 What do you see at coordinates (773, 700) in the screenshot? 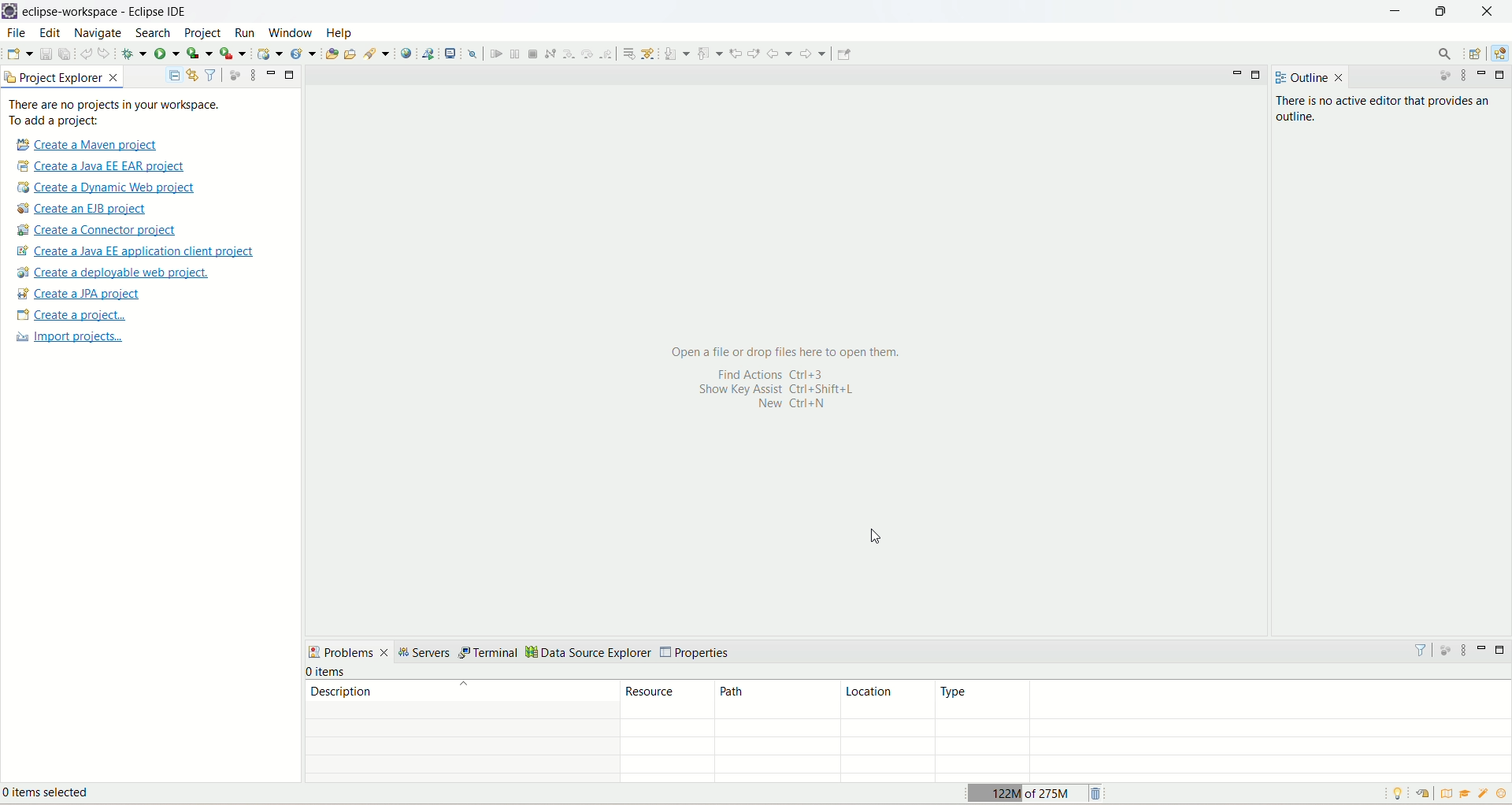
I see `path` at bounding box center [773, 700].